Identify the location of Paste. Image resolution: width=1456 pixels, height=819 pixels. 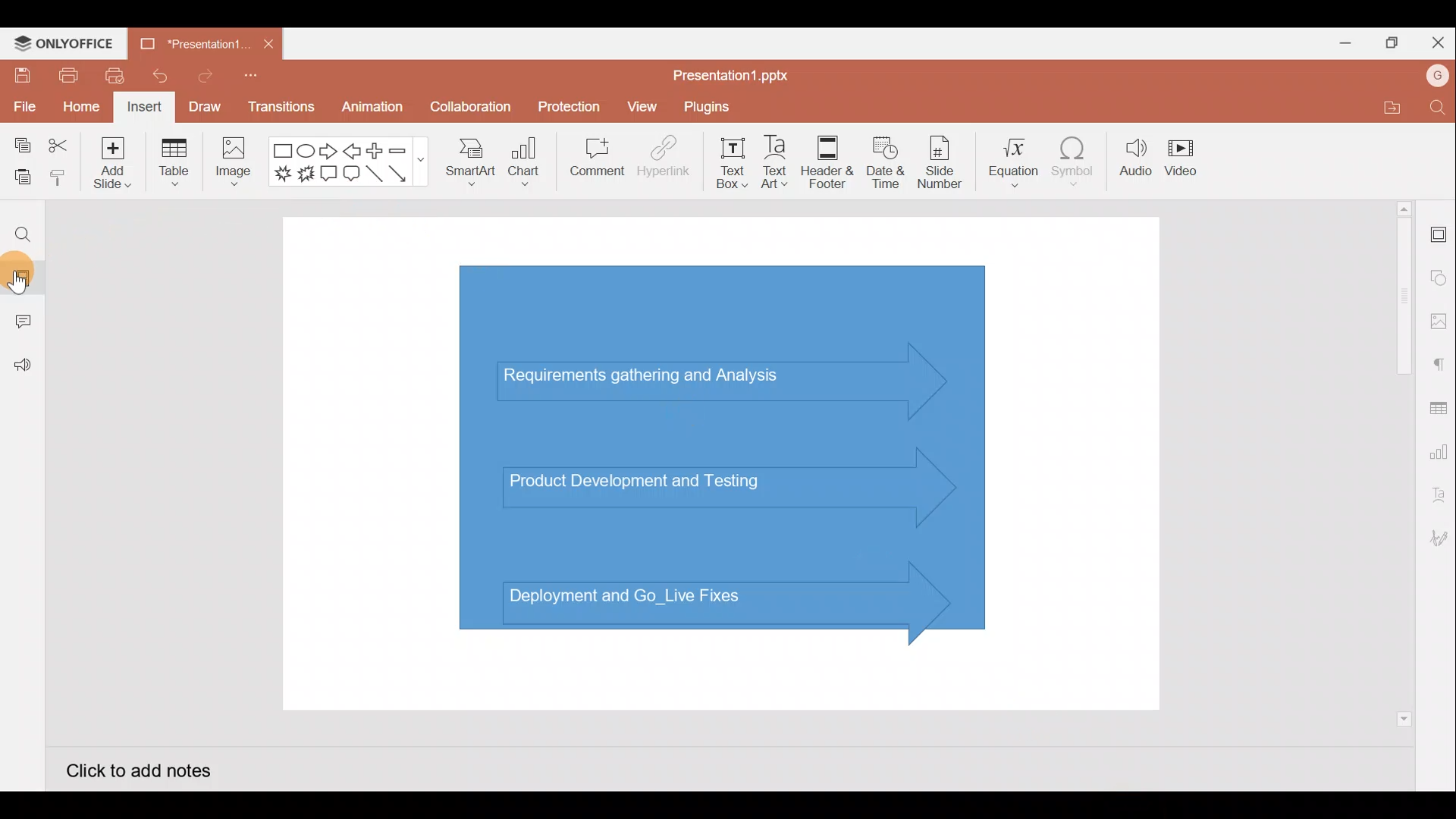
(20, 174).